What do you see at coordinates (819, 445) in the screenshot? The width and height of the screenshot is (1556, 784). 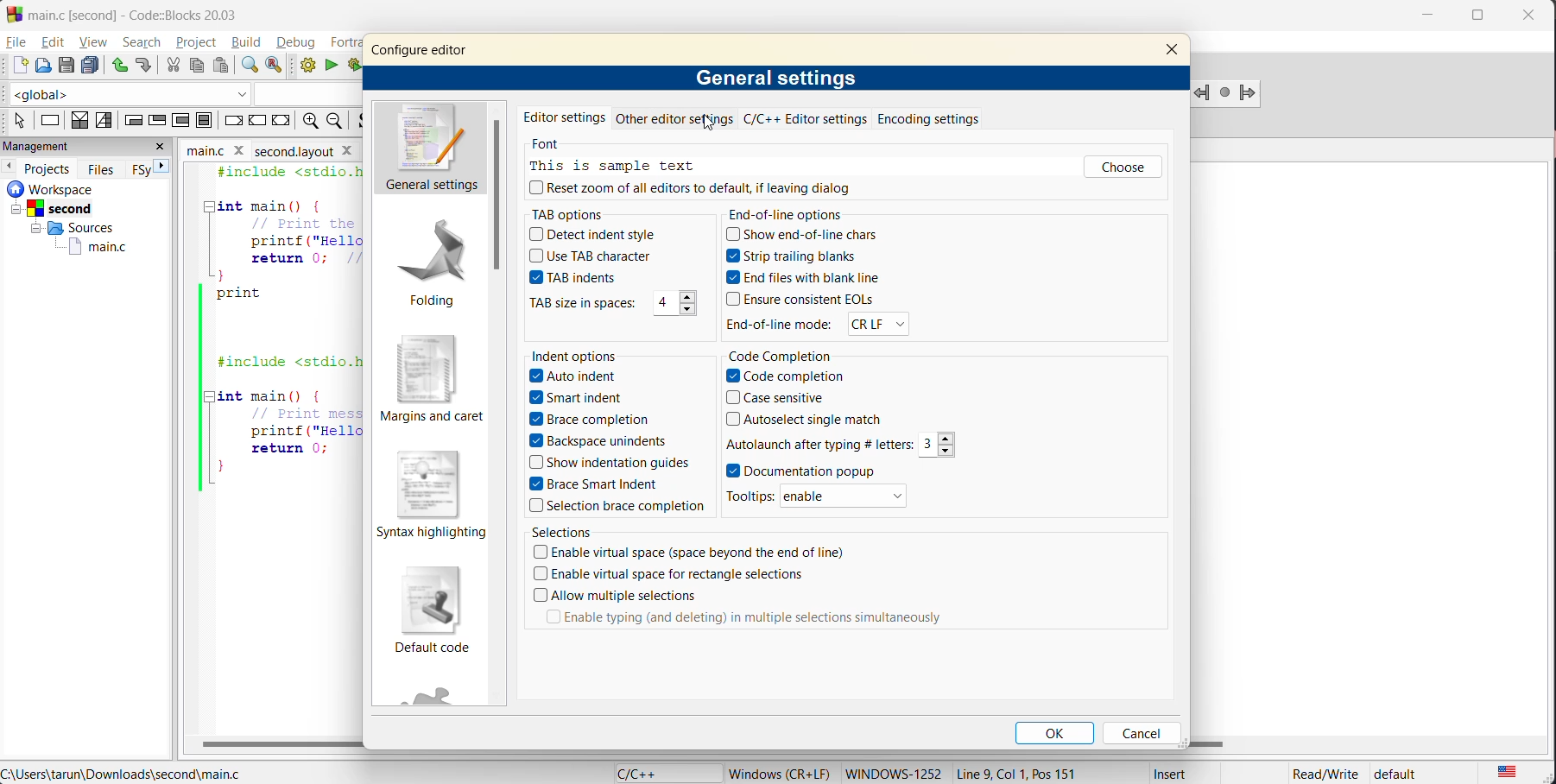 I see `Autolaunch after typing #letters: ` at bounding box center [819, 445].